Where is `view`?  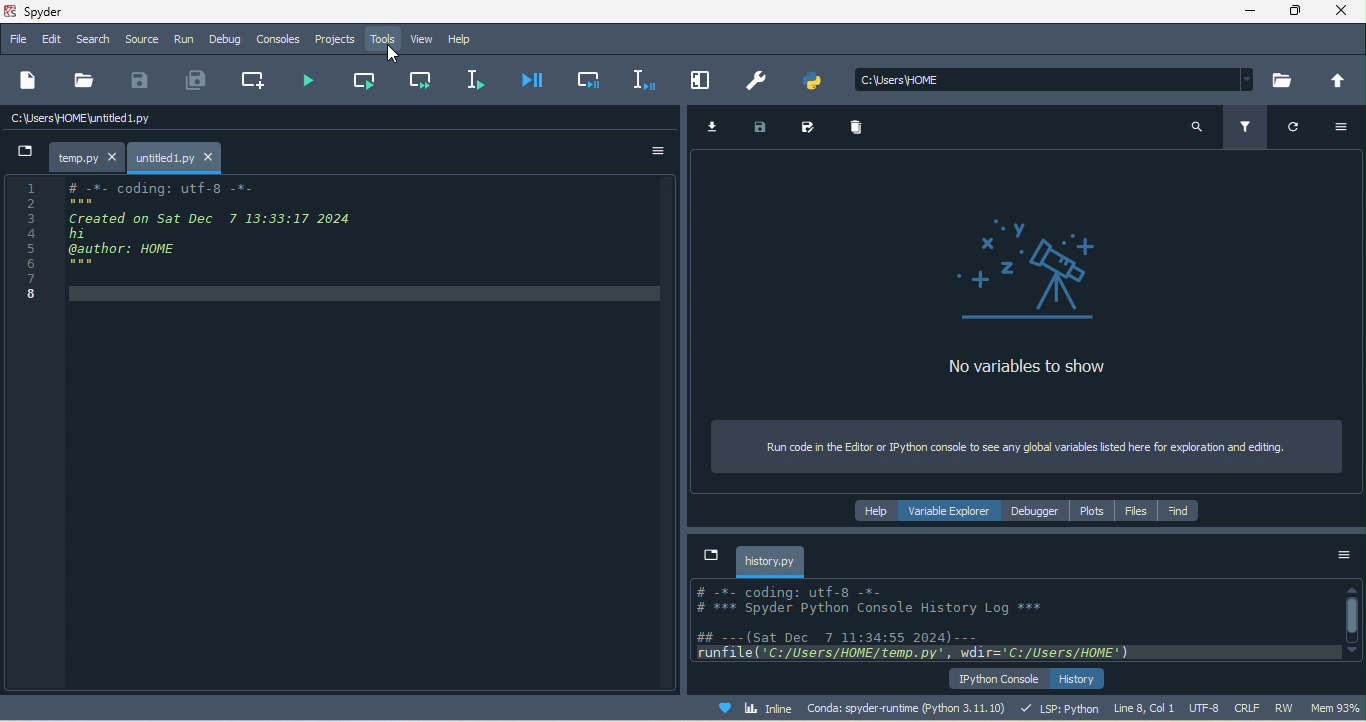 view is located at coordinates (422, 37).